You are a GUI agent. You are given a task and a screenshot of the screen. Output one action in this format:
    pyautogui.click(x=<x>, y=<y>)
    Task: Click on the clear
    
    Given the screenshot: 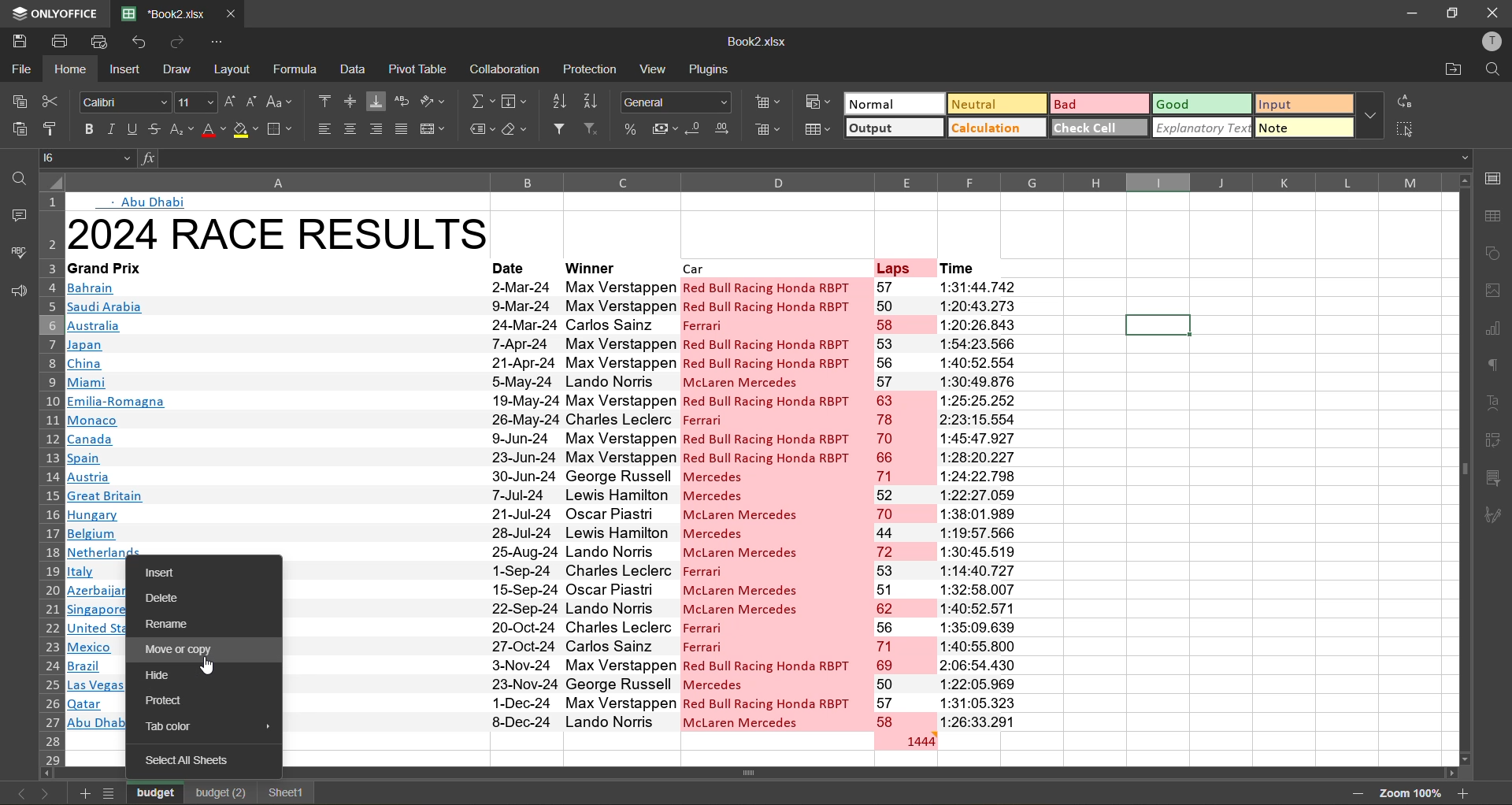 What is the action you would take?
    pyautogui.click(x=521, y=131)
    